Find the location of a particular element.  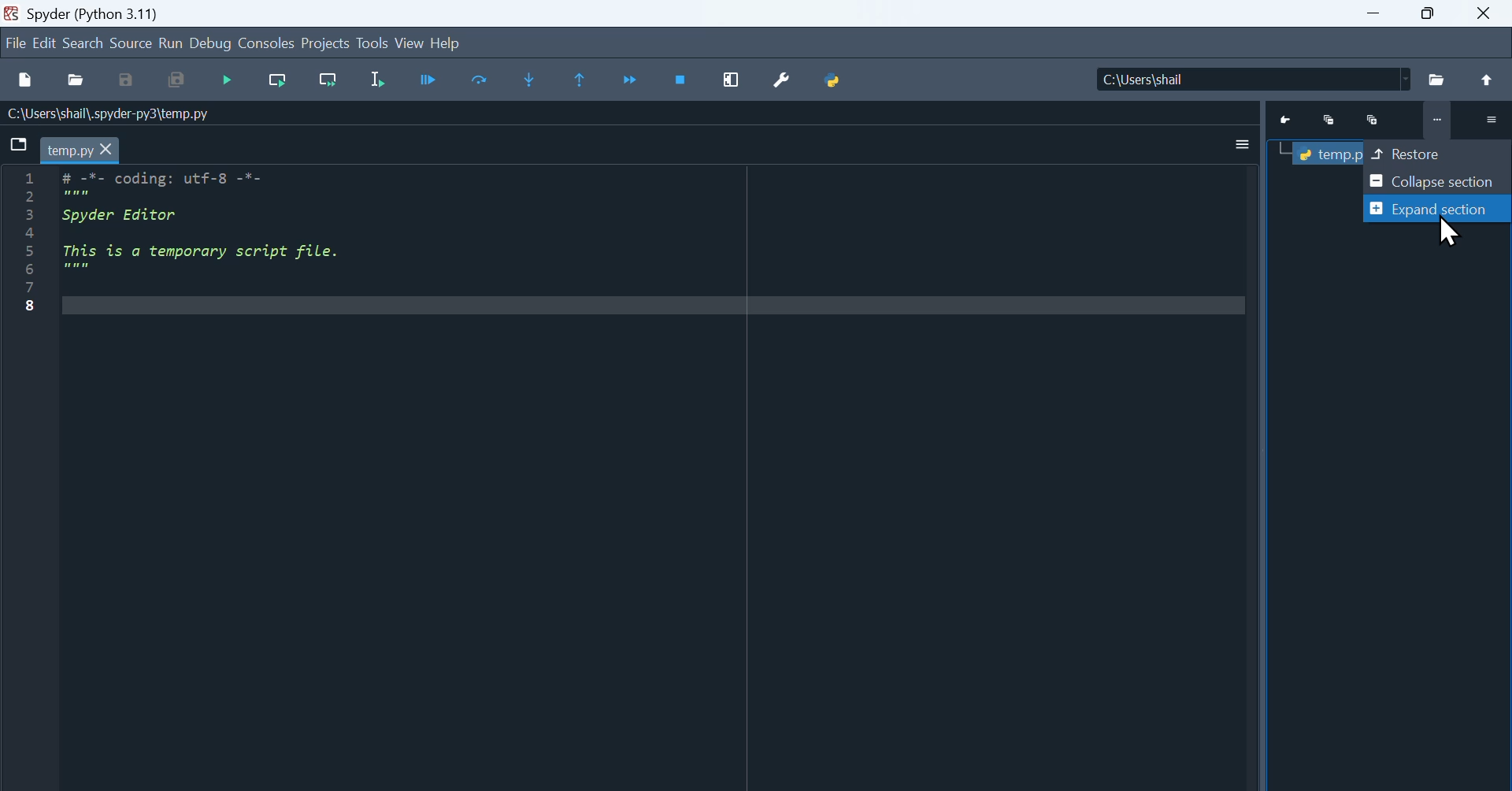

Source is located at coordinates (132, 44).